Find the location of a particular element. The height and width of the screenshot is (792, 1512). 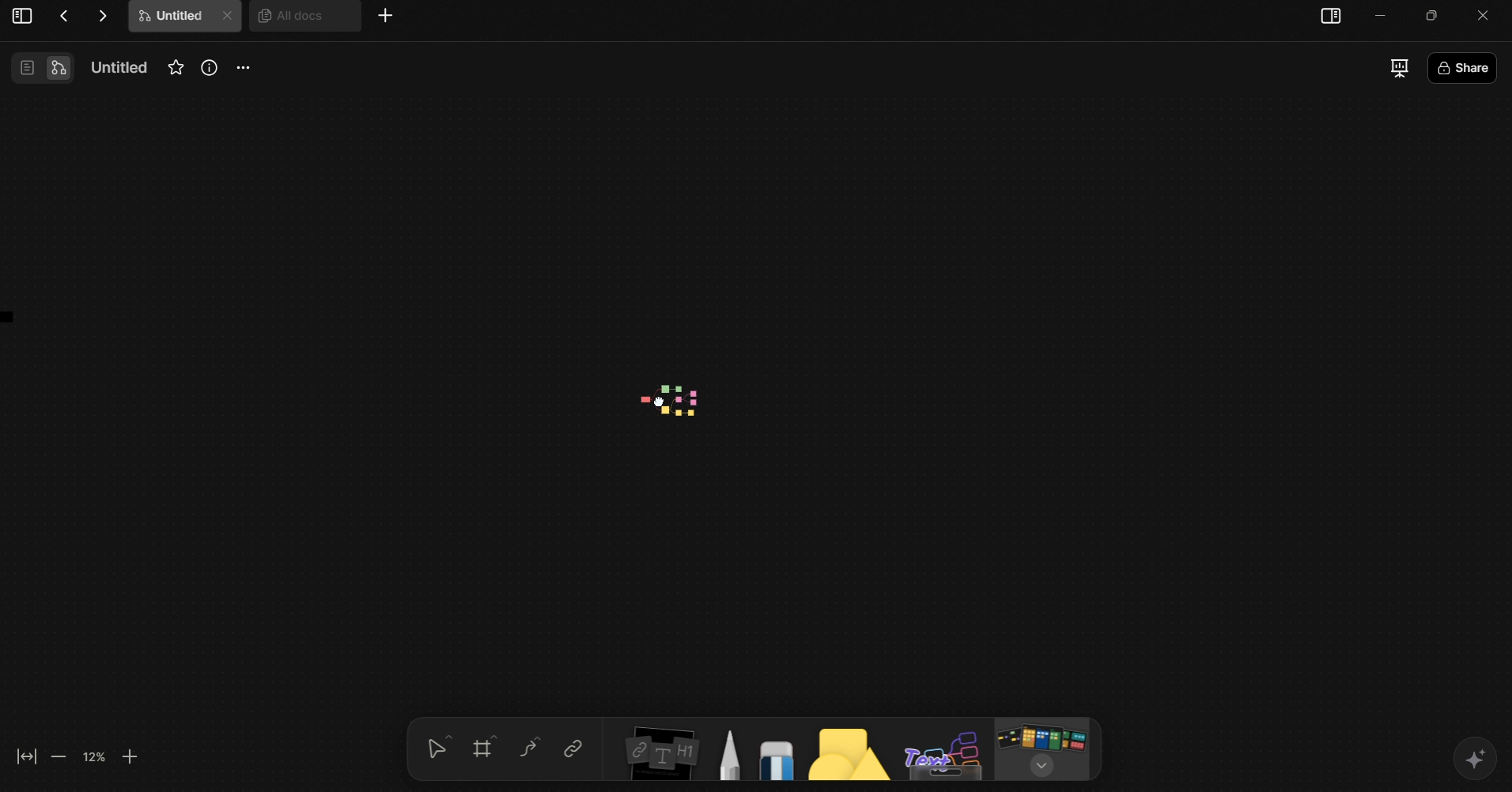

sidebar is located at coordinates (1333, 17).